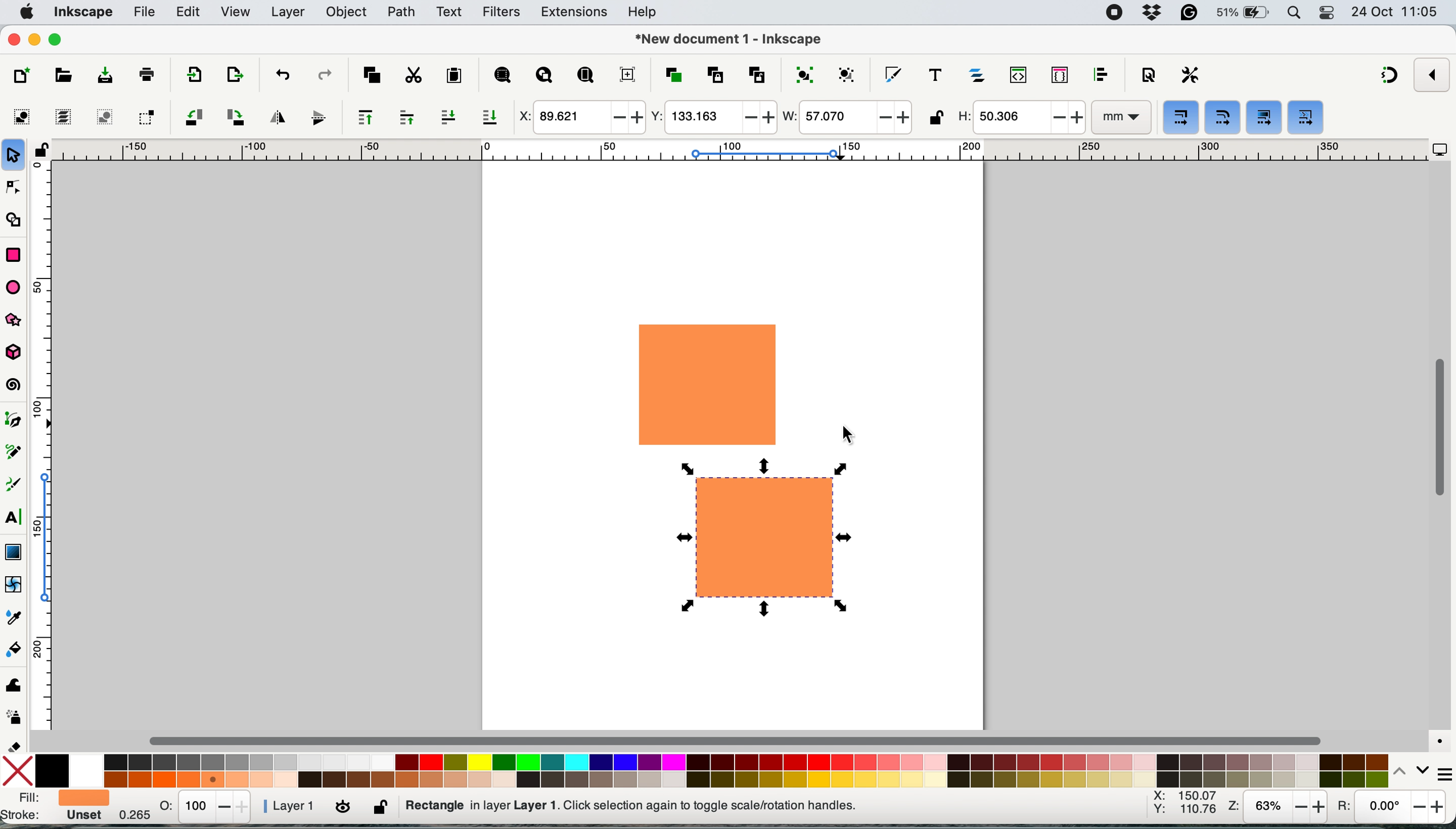  I want to click on vertical scroll bar, so click(1439, 428).